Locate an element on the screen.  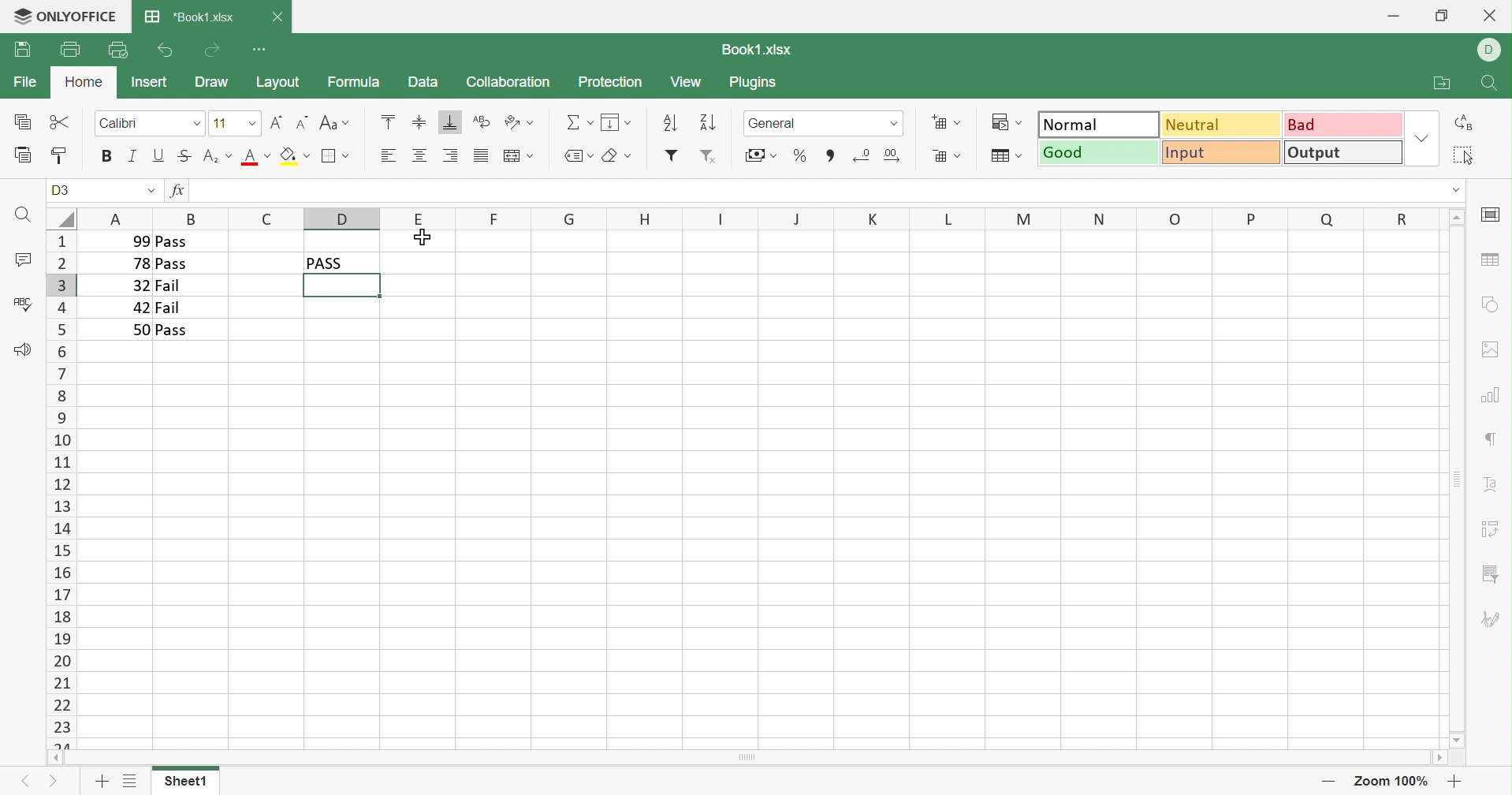
logo is located at coordinates (18, 15).